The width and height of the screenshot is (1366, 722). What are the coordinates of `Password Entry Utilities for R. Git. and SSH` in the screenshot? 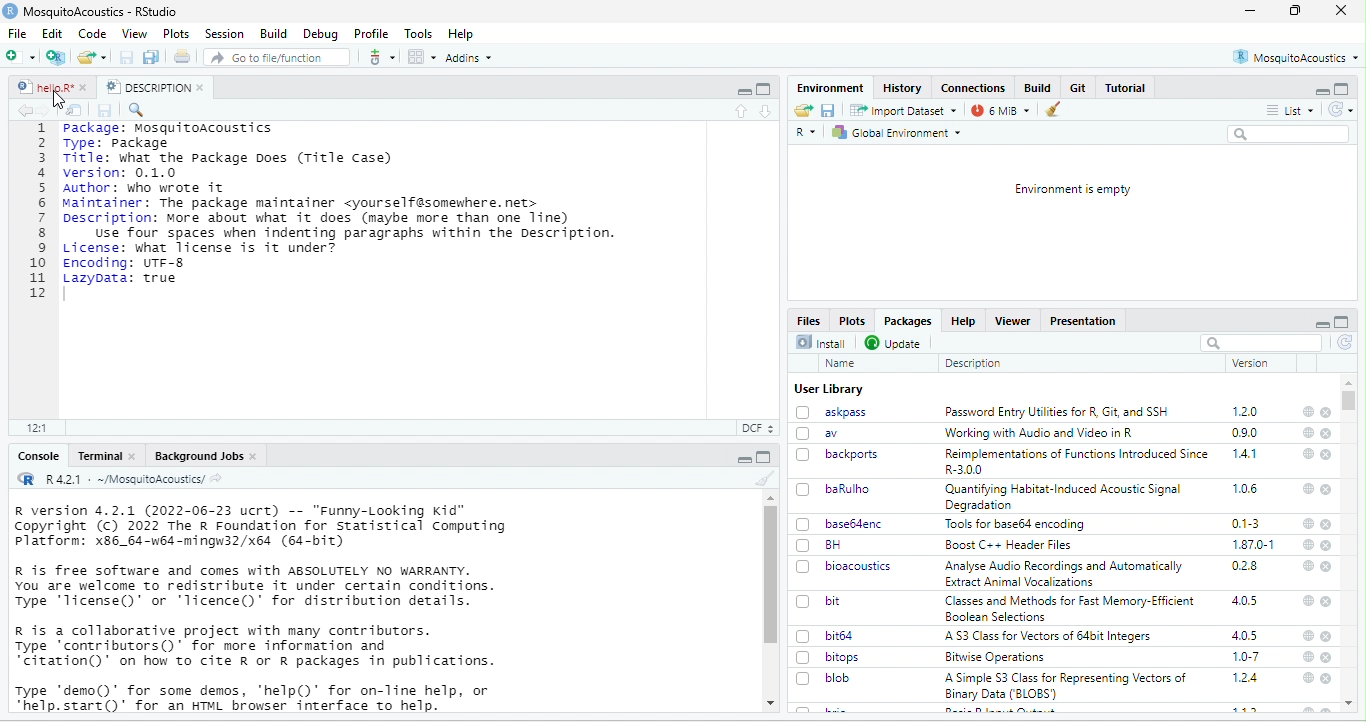 It's located at (1058, 412).